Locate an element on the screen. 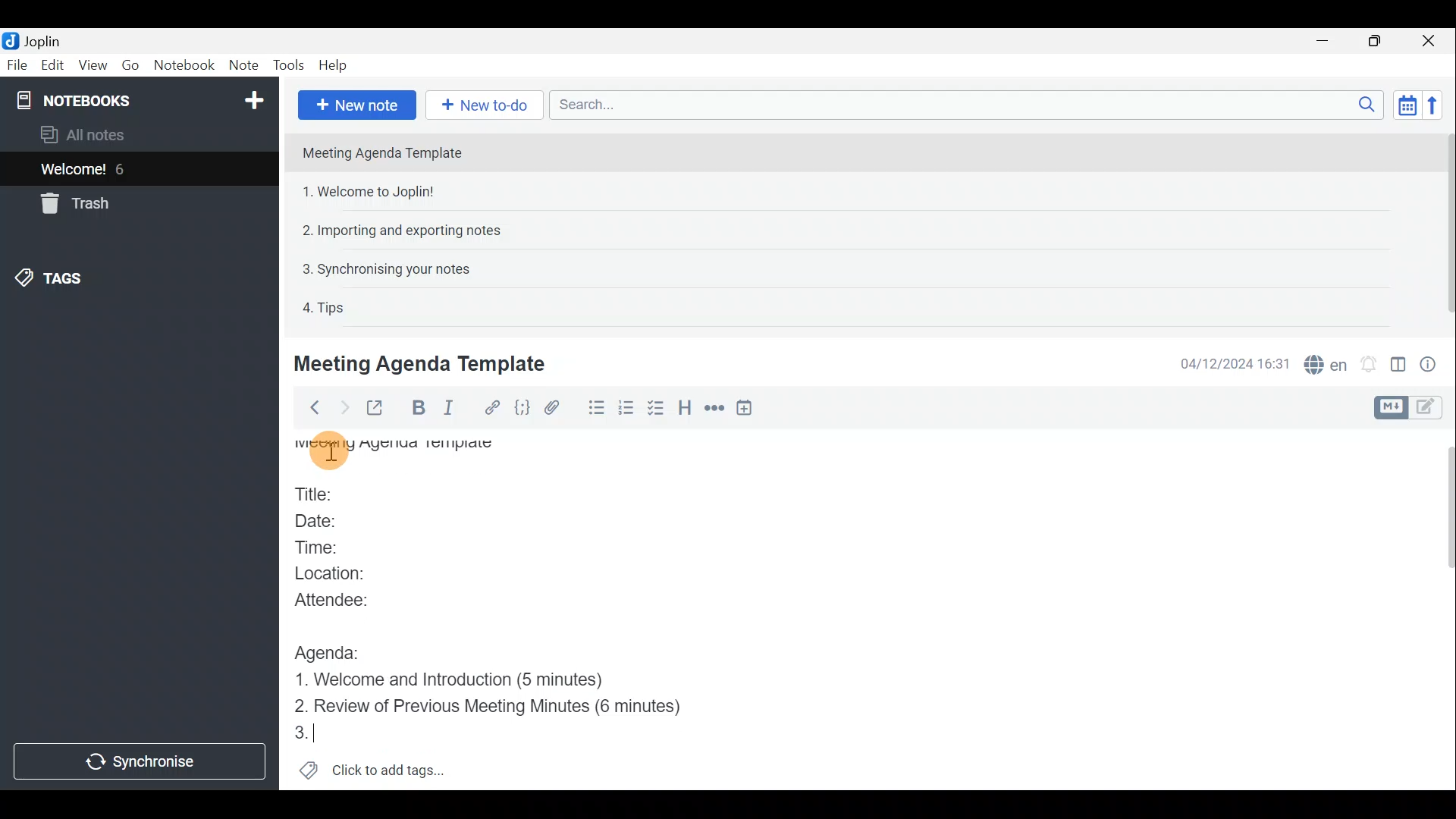  Reverse sort order is located at coordinates (1434, 105).